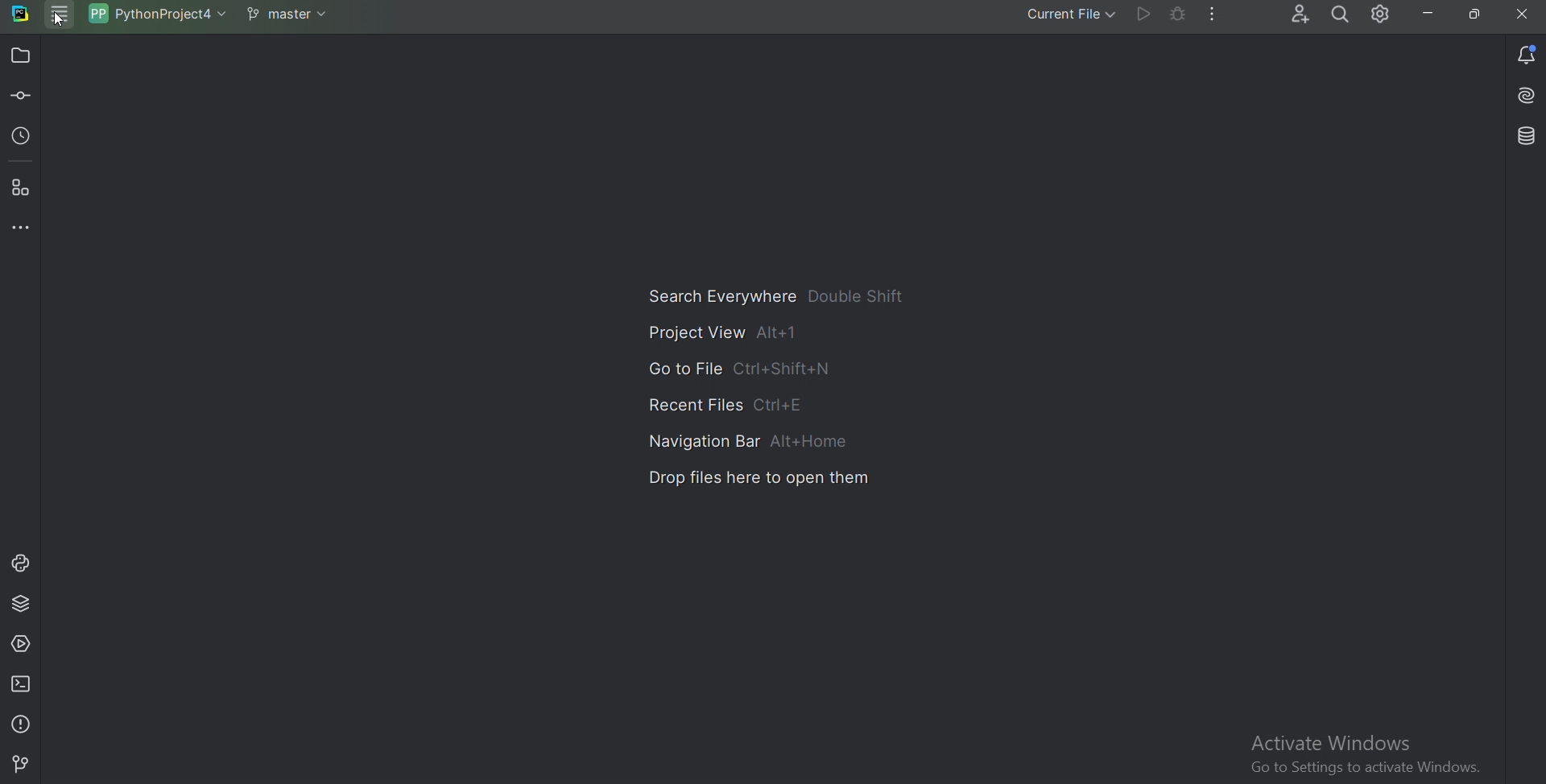 Image resolution: width=1546 pixels, height=784 pixels. I want to click on Restore down, so click(1476, 15).